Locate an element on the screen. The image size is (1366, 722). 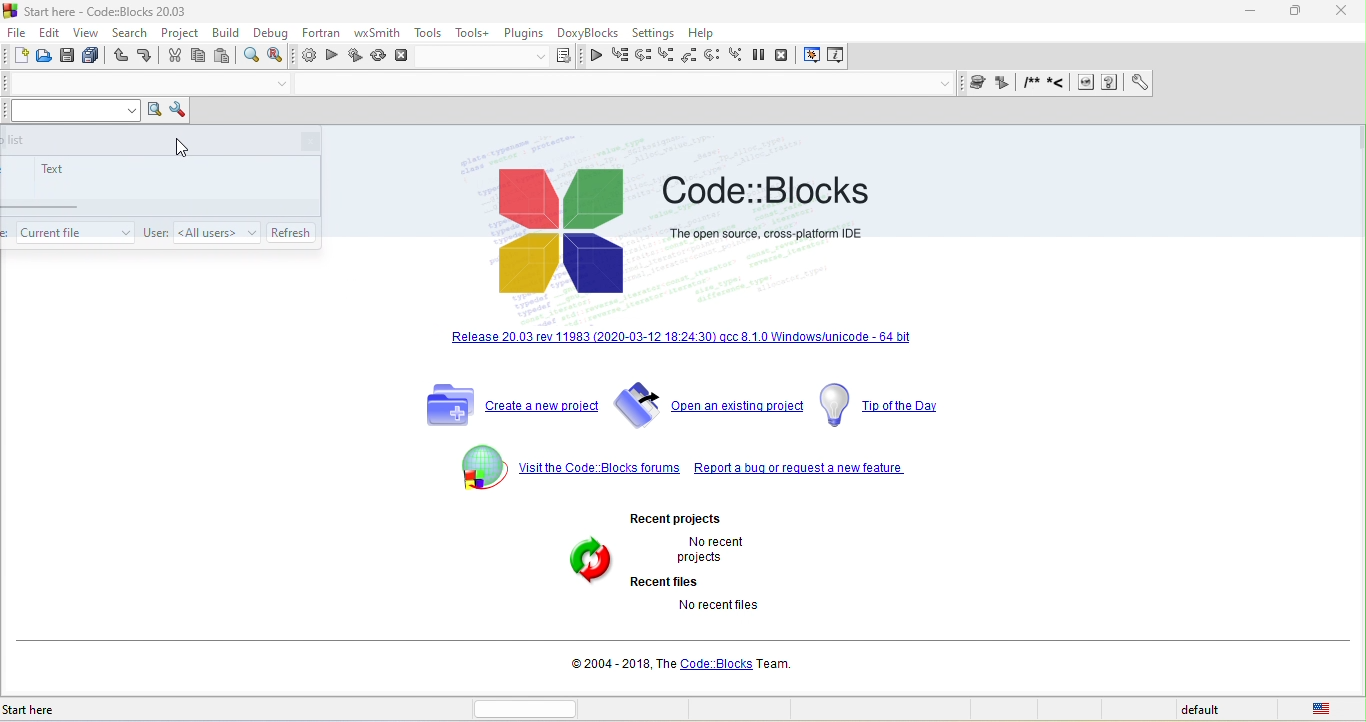
default is located at coordinates (1215, 710).